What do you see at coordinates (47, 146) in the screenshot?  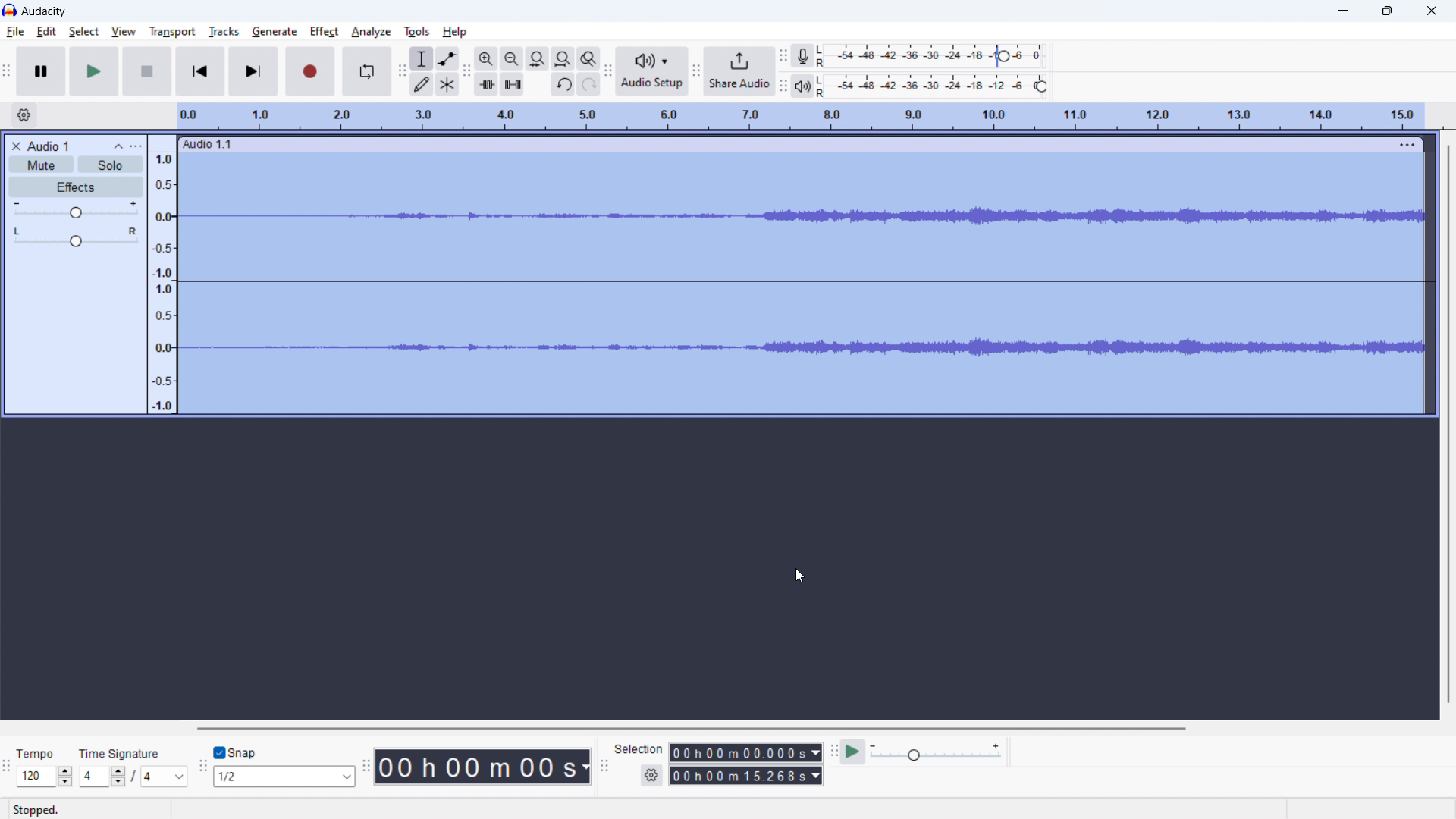 I see `title` at bounding box center [47, 146].